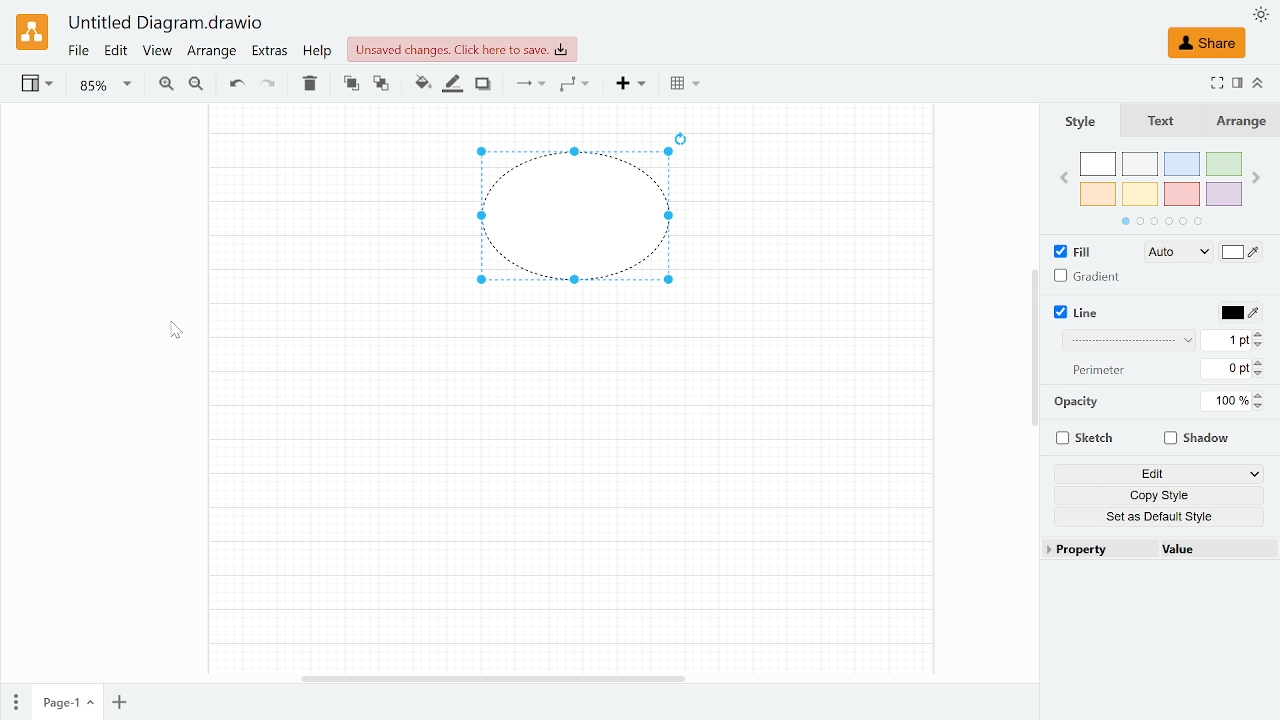 This screenshot has width=1280, height=720. I want to click on Arrange, so click(1243, 122).